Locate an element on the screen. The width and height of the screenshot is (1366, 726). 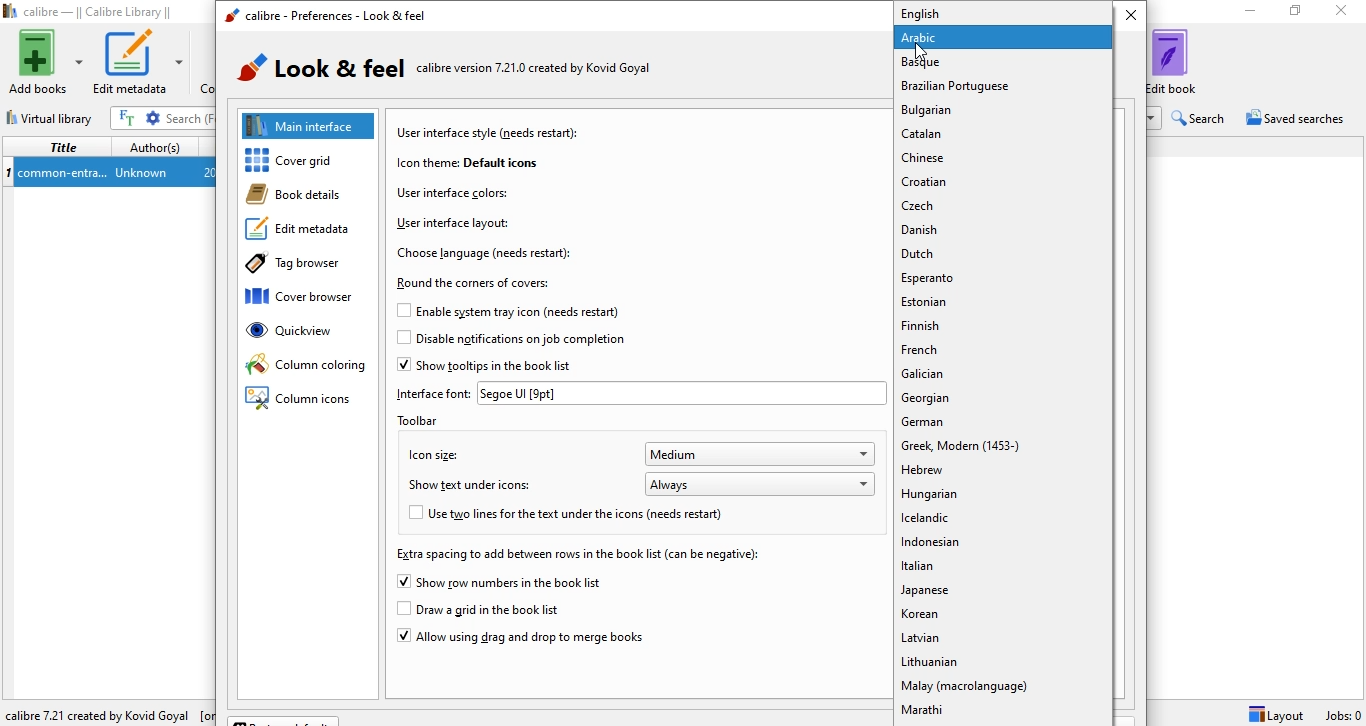
Virtual library is located at coordinates (52, 115).